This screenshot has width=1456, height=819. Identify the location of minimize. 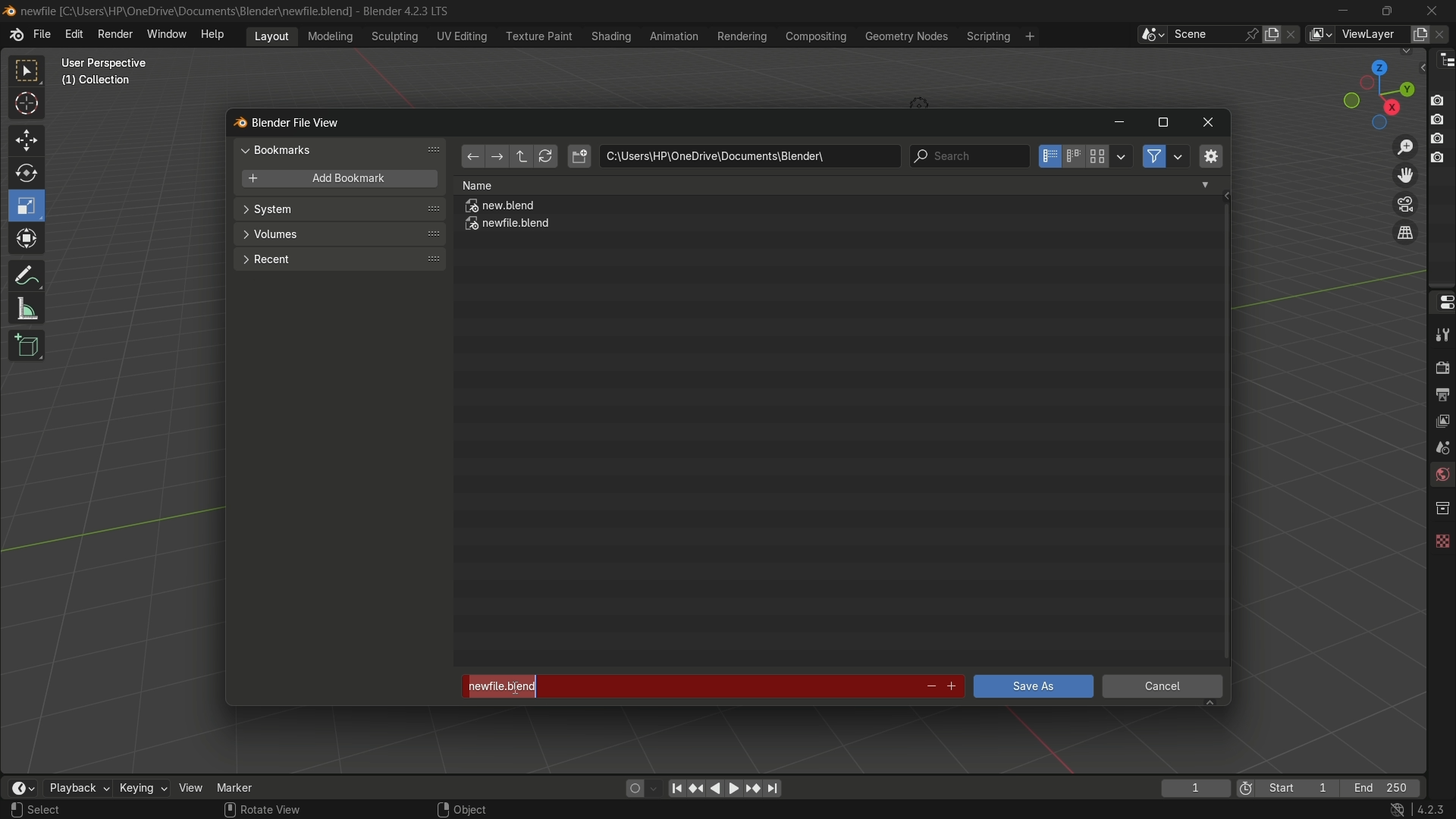
(1344, 11).